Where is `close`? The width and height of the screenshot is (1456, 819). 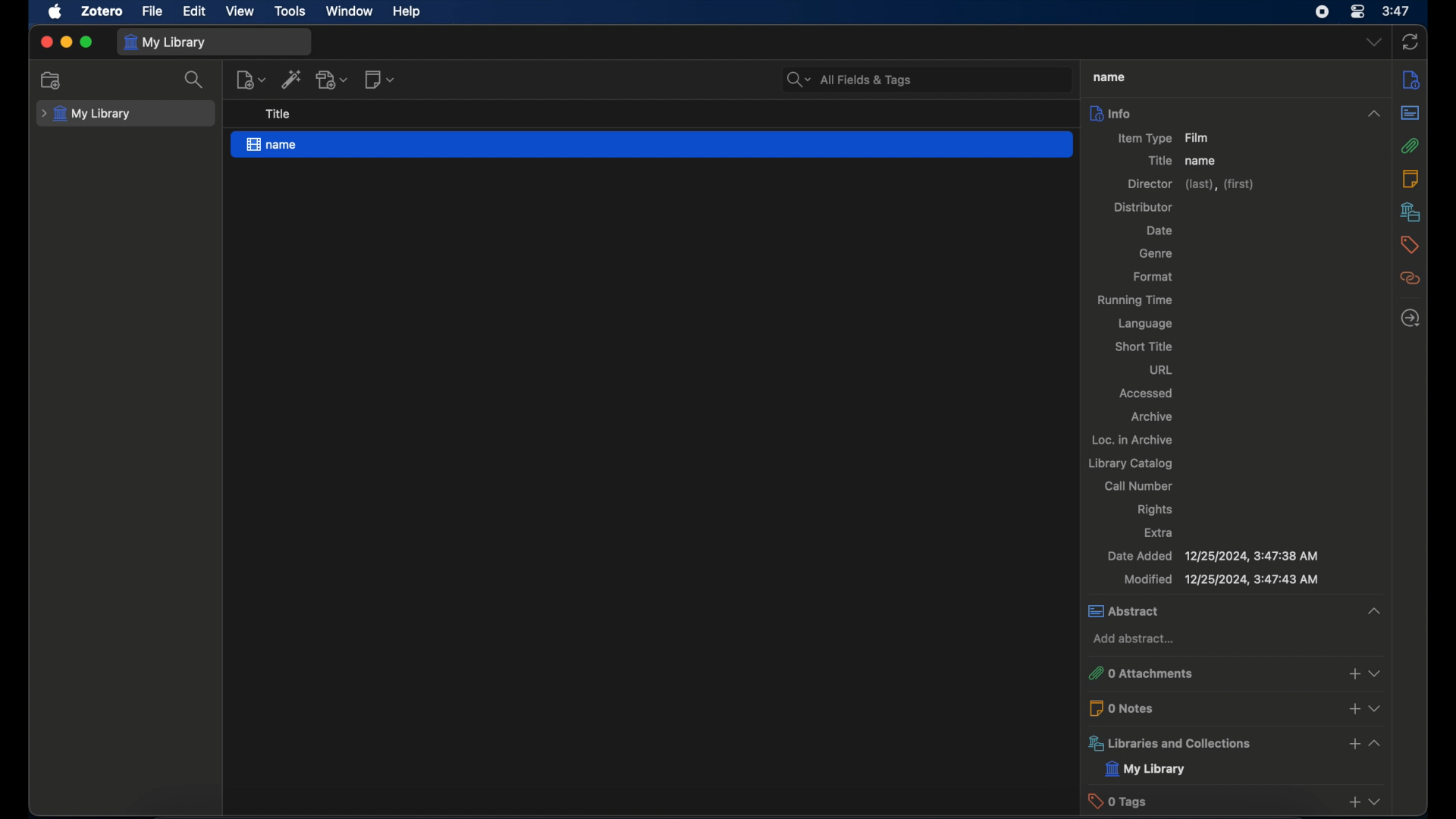
close is located at coordinates (45, 42).